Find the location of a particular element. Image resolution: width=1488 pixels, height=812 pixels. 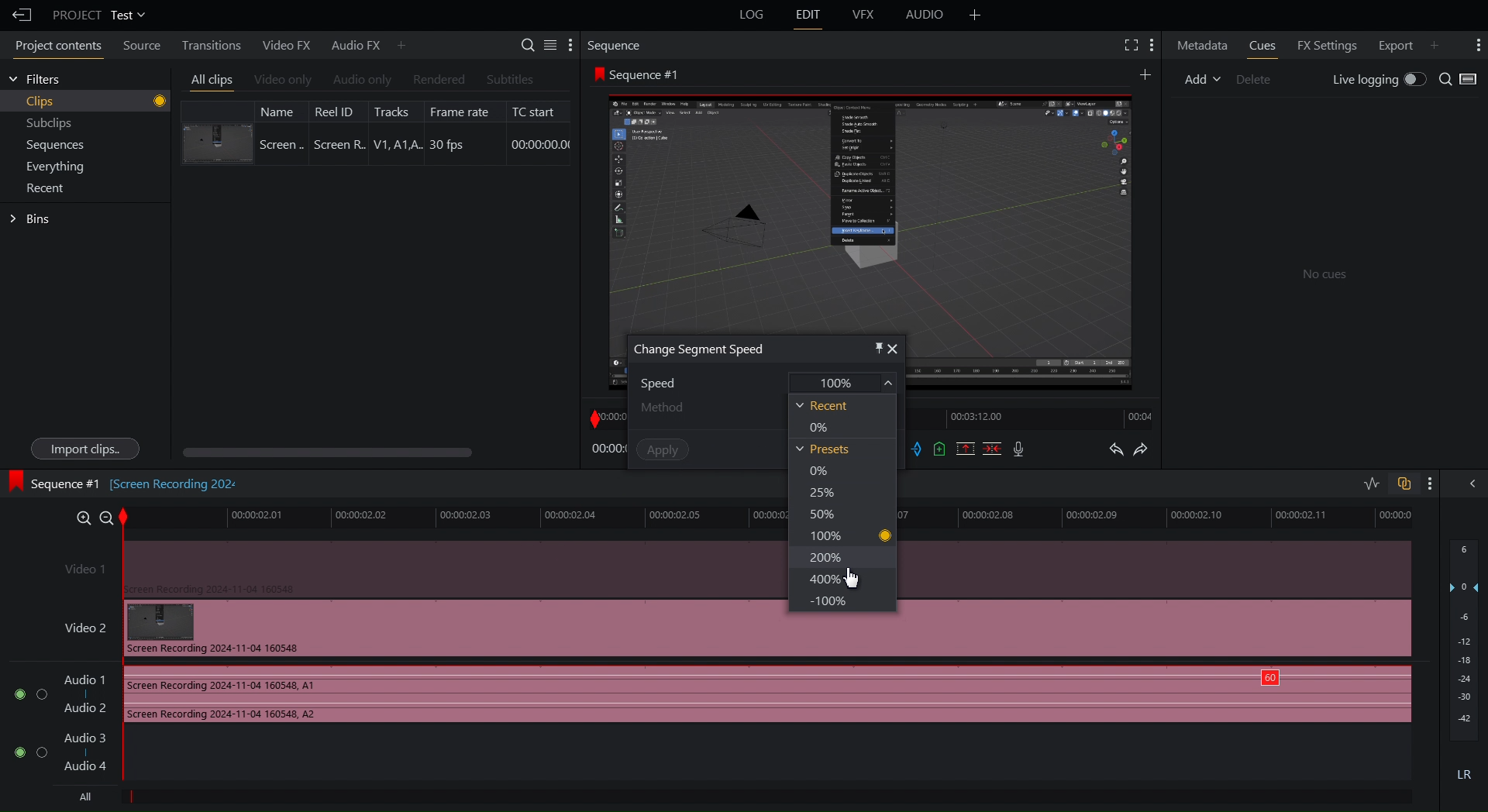

Filters is located at coordinates (35, 79).